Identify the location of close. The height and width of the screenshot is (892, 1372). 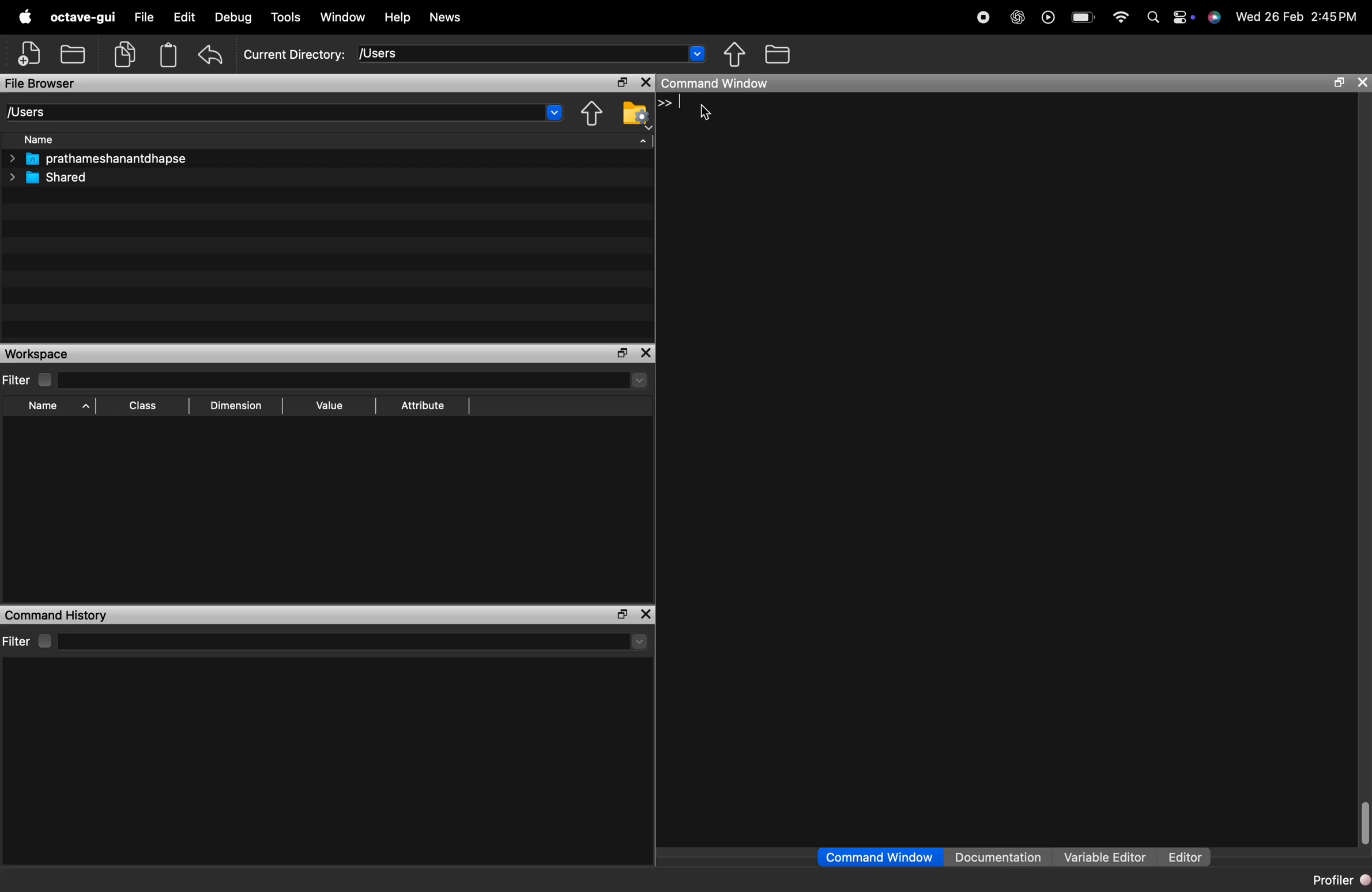
(644, 82).